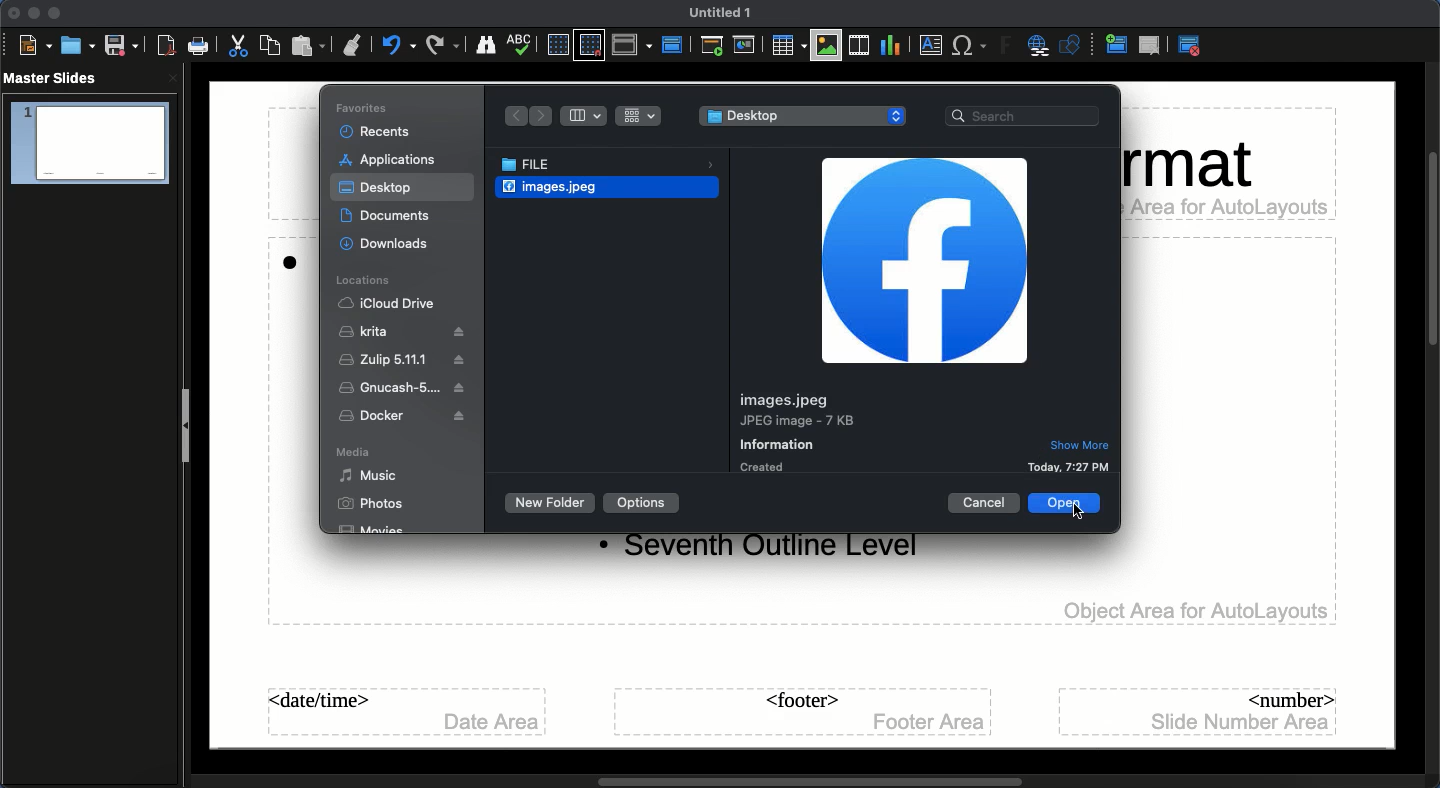 The width and height of the screenshot is (1440, 788). Describe the element at coordinates (403, 332) in the screenshot. I see `Krita` at that location.